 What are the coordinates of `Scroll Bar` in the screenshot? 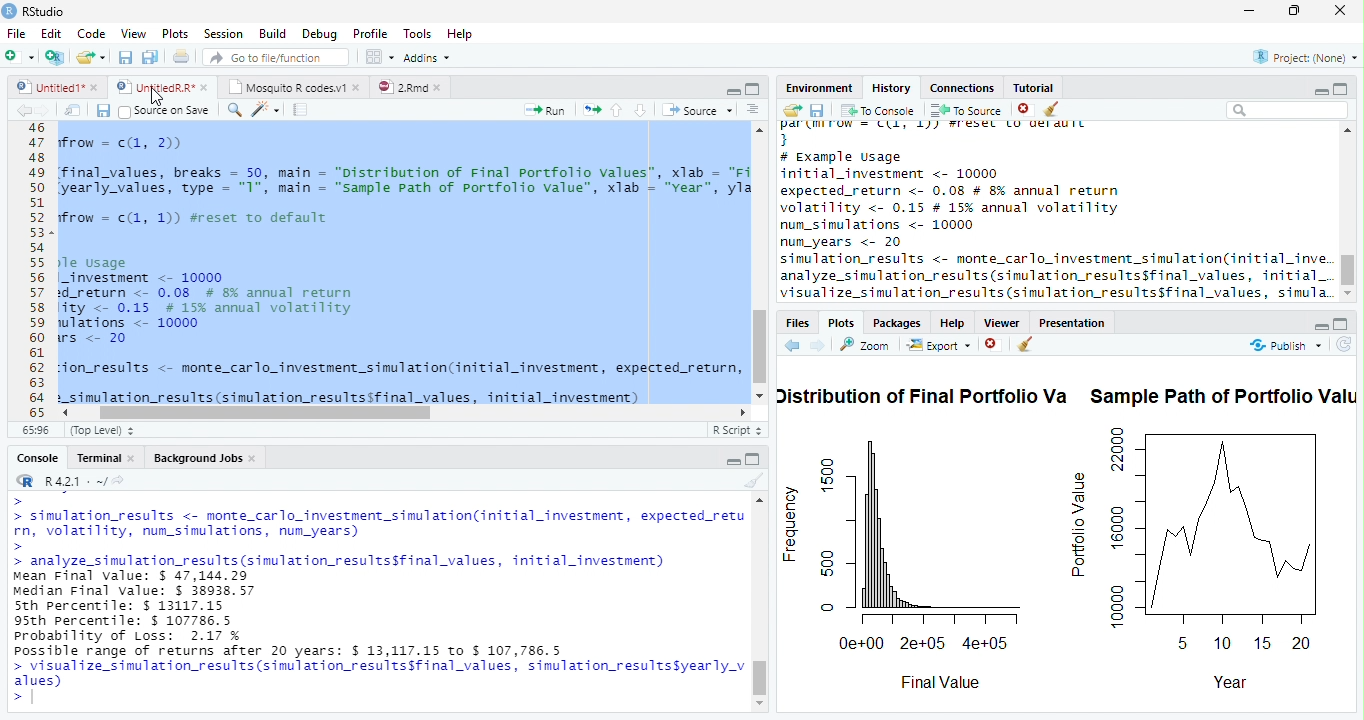 It's located at (760, 349).